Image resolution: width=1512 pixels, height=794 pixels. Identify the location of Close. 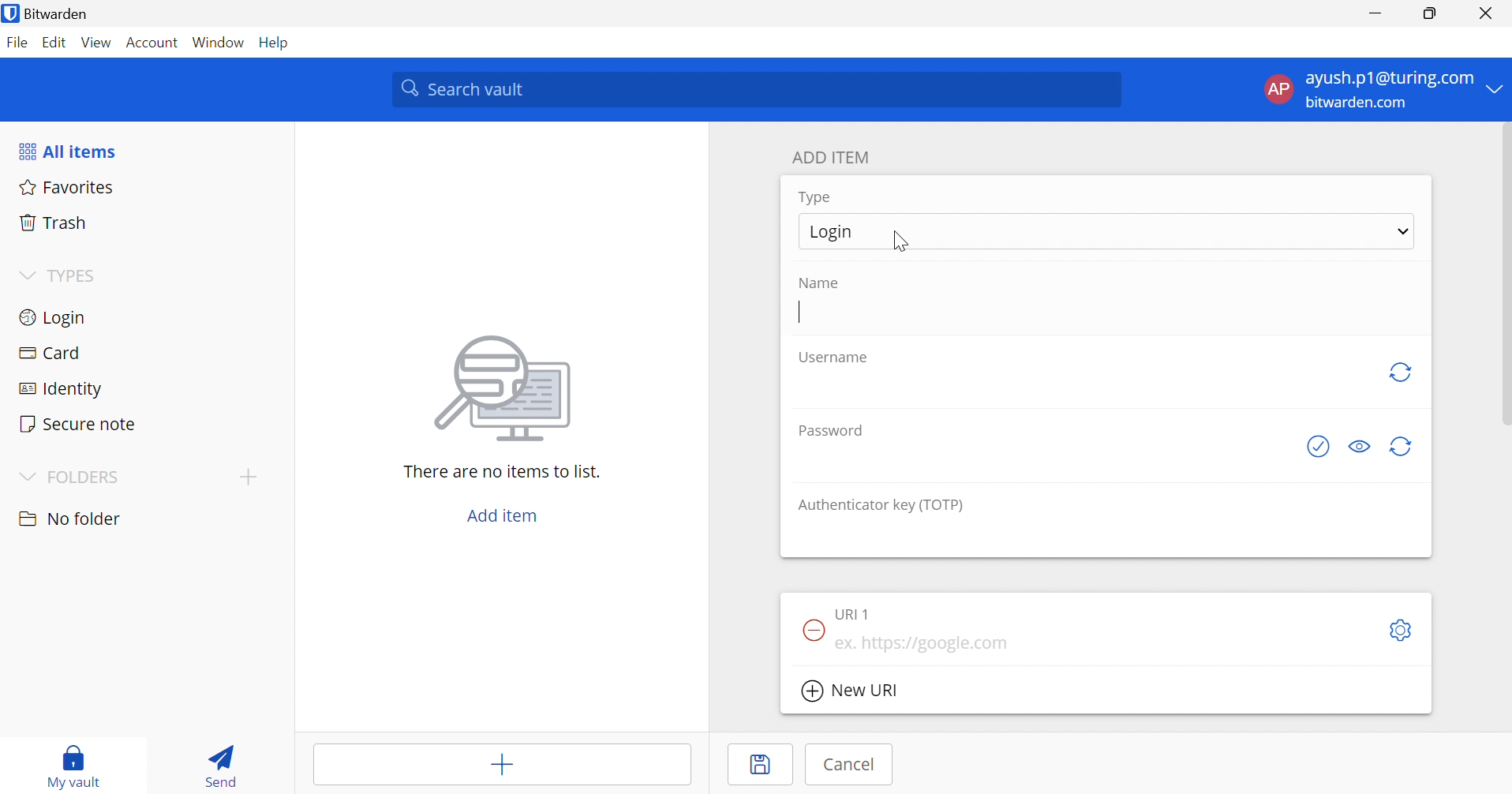
(1484, 13).